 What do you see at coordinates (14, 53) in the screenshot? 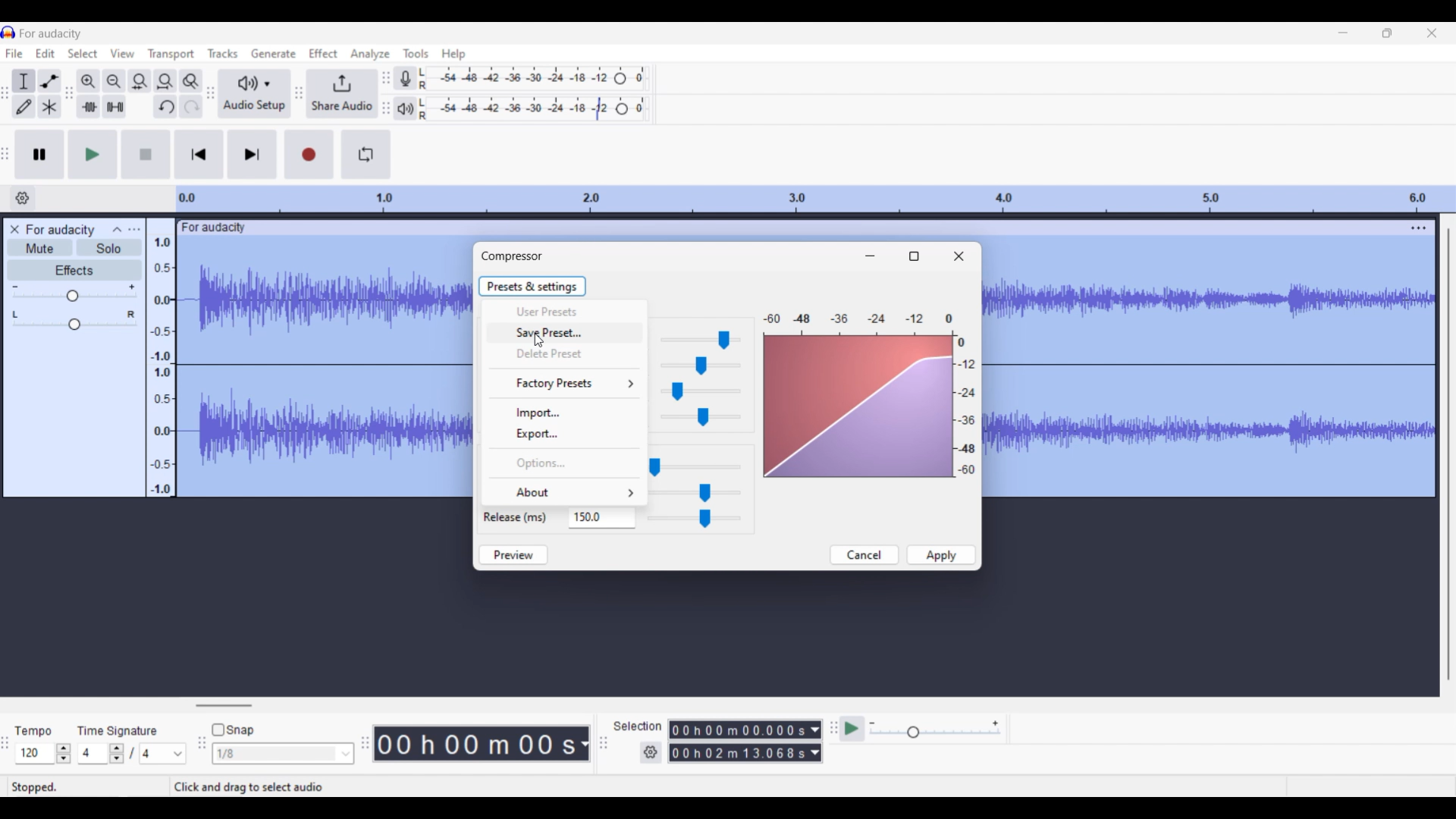
I see `File menu` at bounding box center [14, 53].